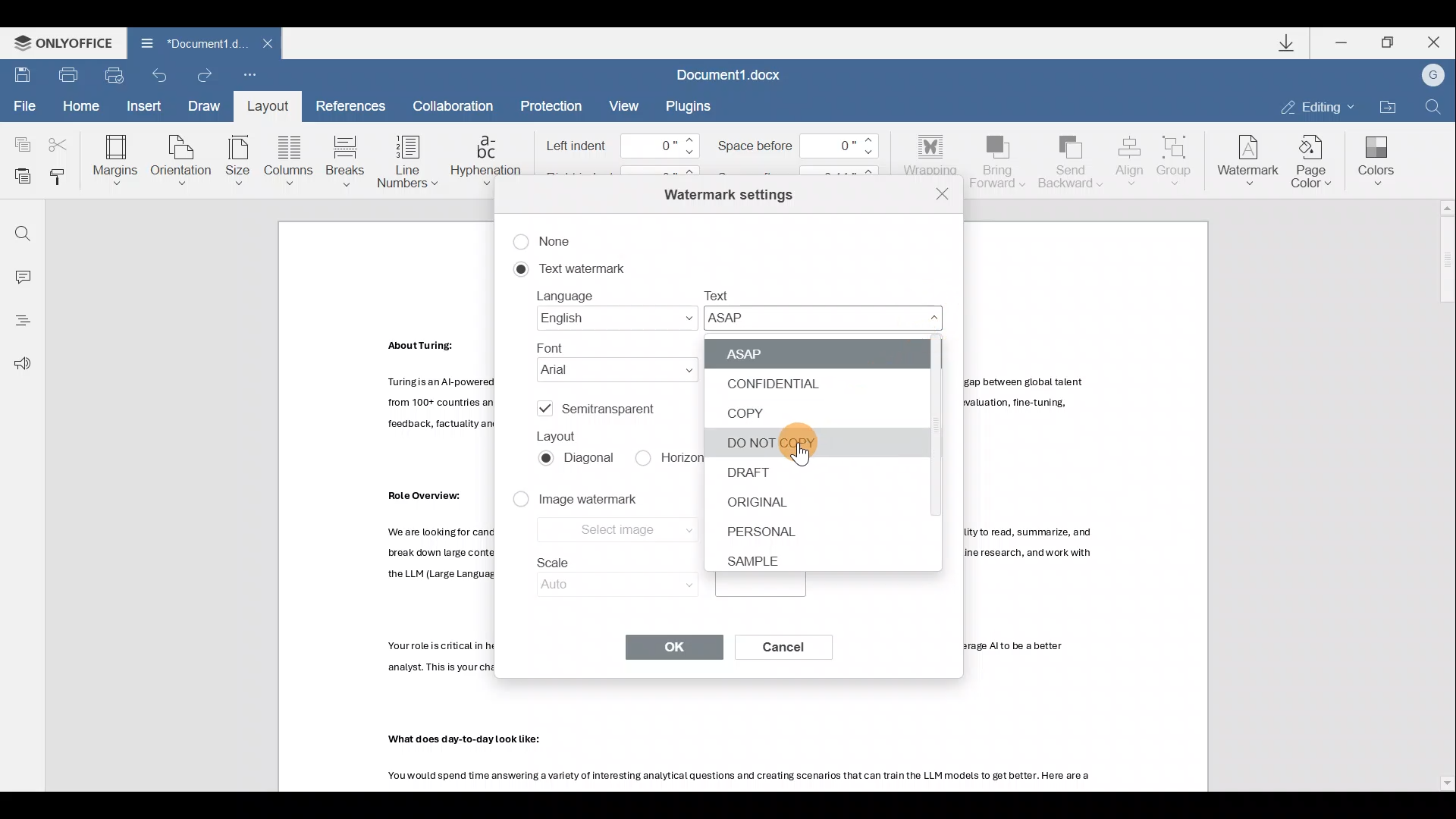  Describe the element at coordinates (610, 361) in the screenshot. I see `Font name` at that location.